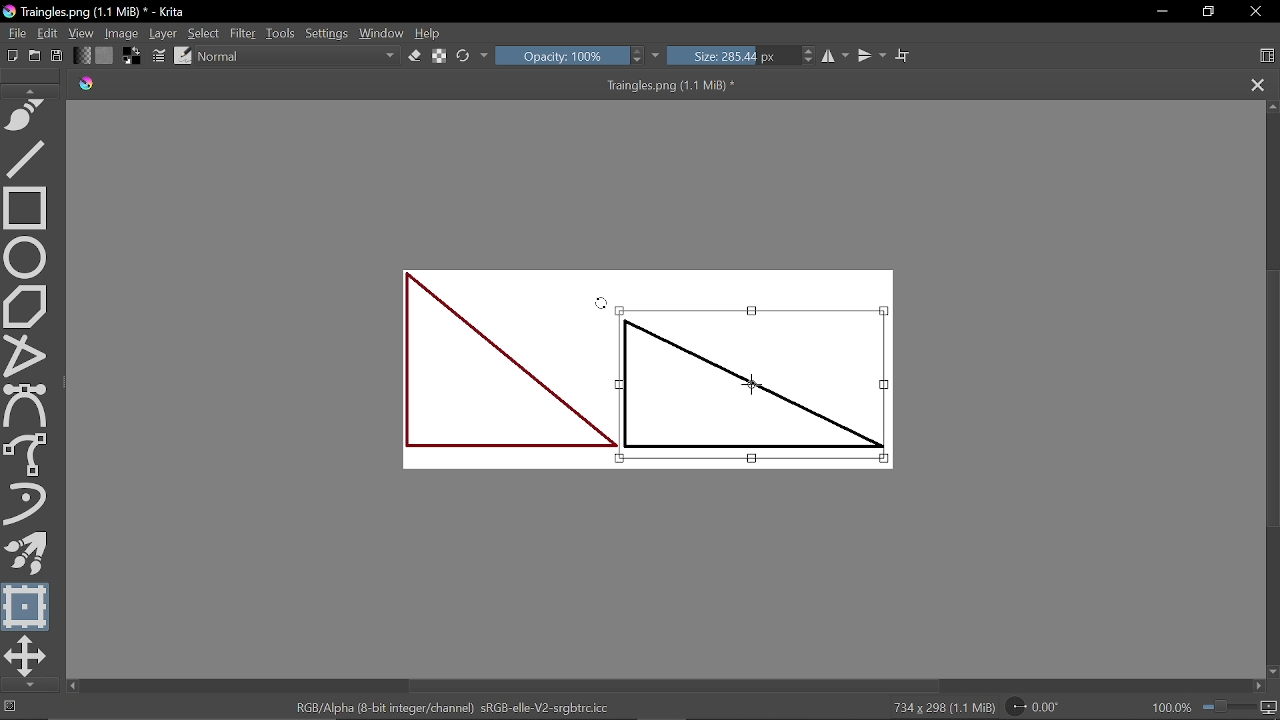  What do you see at coordinates (871, 56) in the screenshot?
I see `Vertical mirror` at bounding box center [871, 56].